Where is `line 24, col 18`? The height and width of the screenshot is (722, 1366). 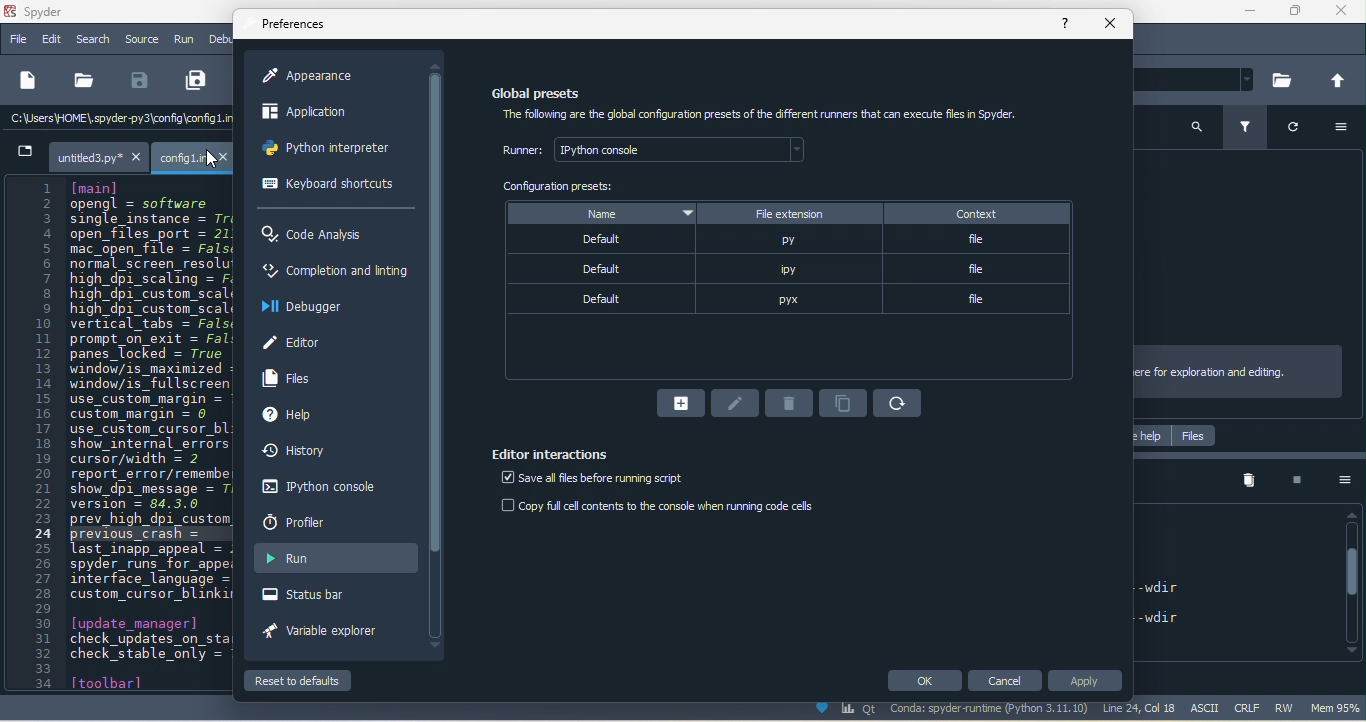 line 24, col 18 is located at coordinates (1144, 708).